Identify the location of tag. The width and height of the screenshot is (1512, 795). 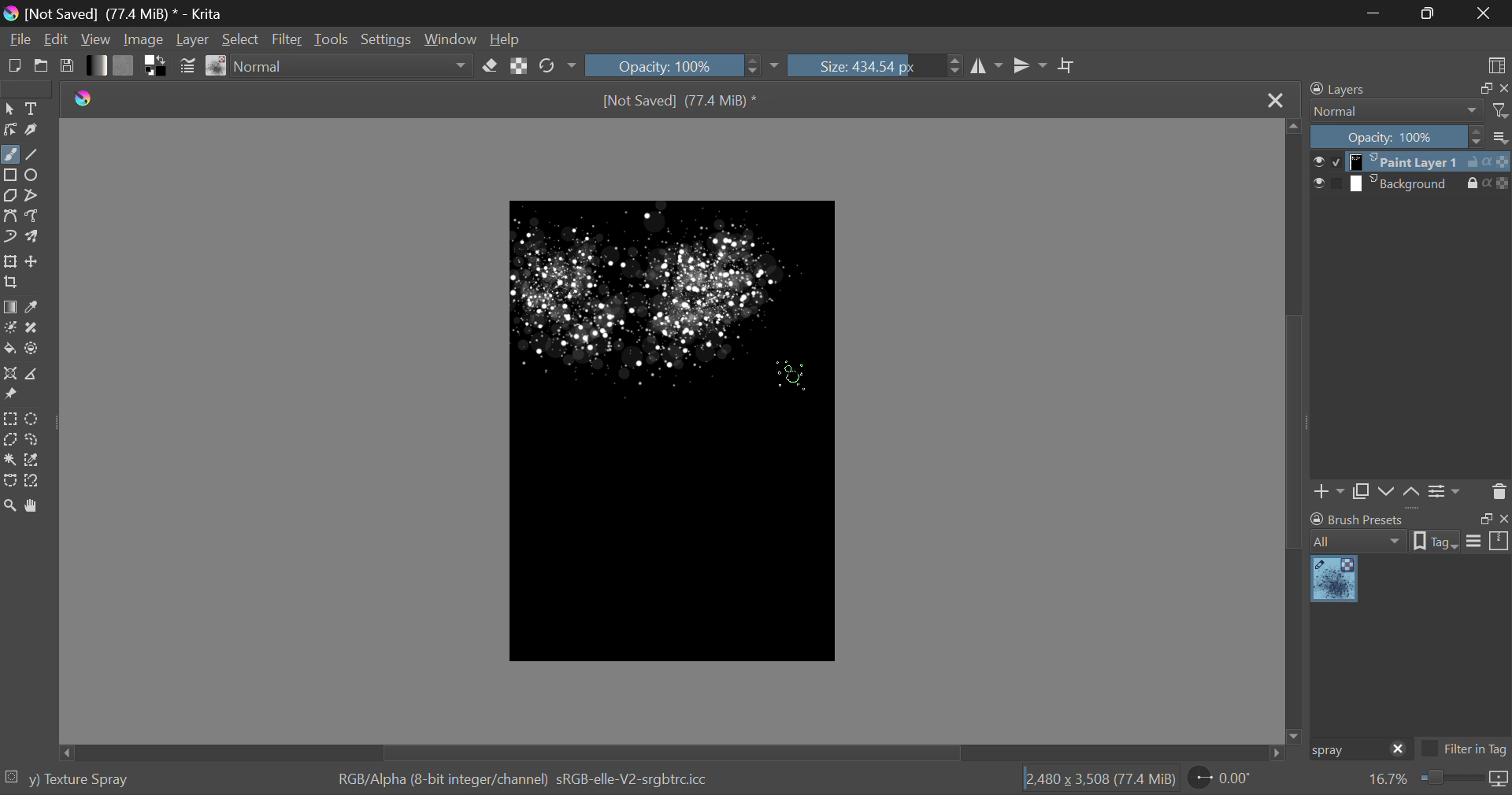
(1436, 543).